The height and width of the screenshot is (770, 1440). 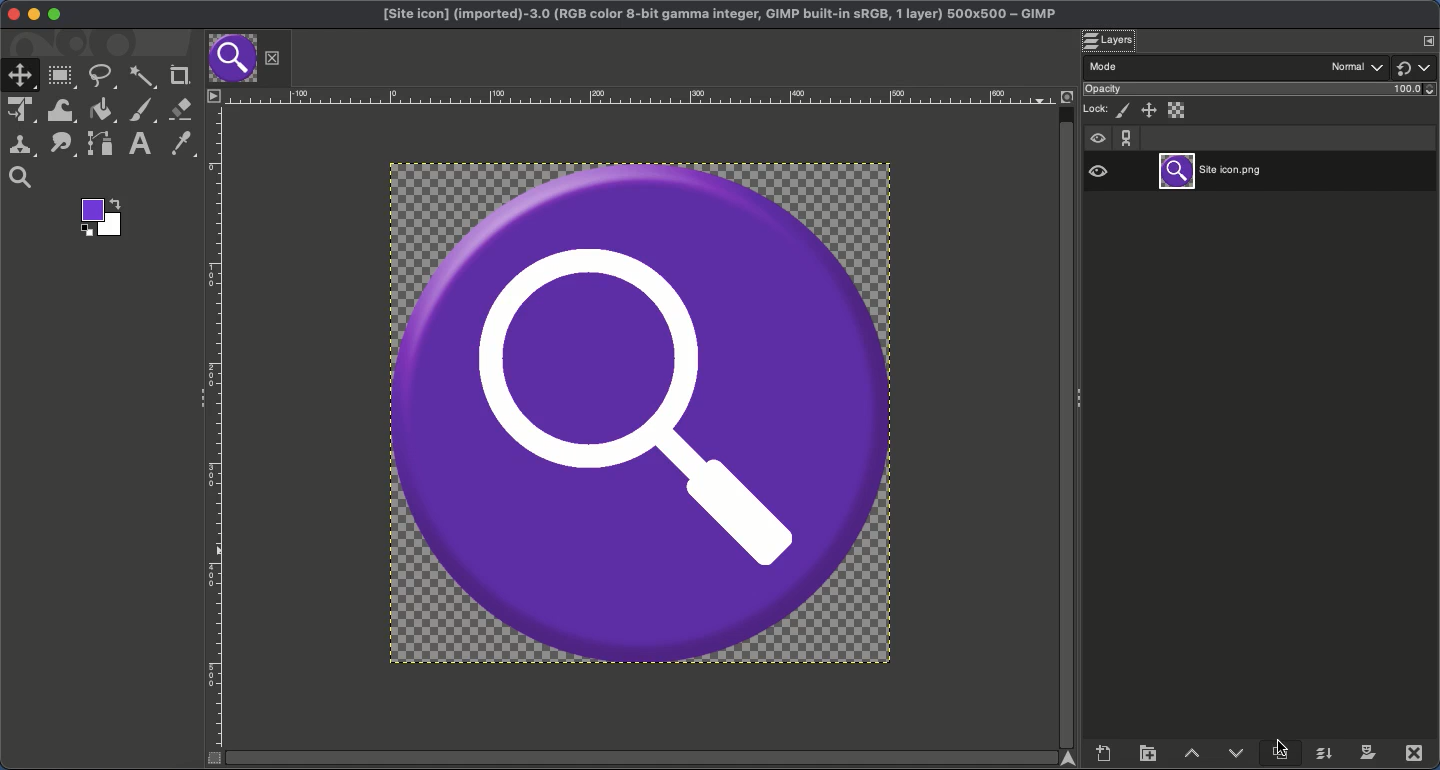 I want to click on Create new layer group, so click(x=1149, y=751).